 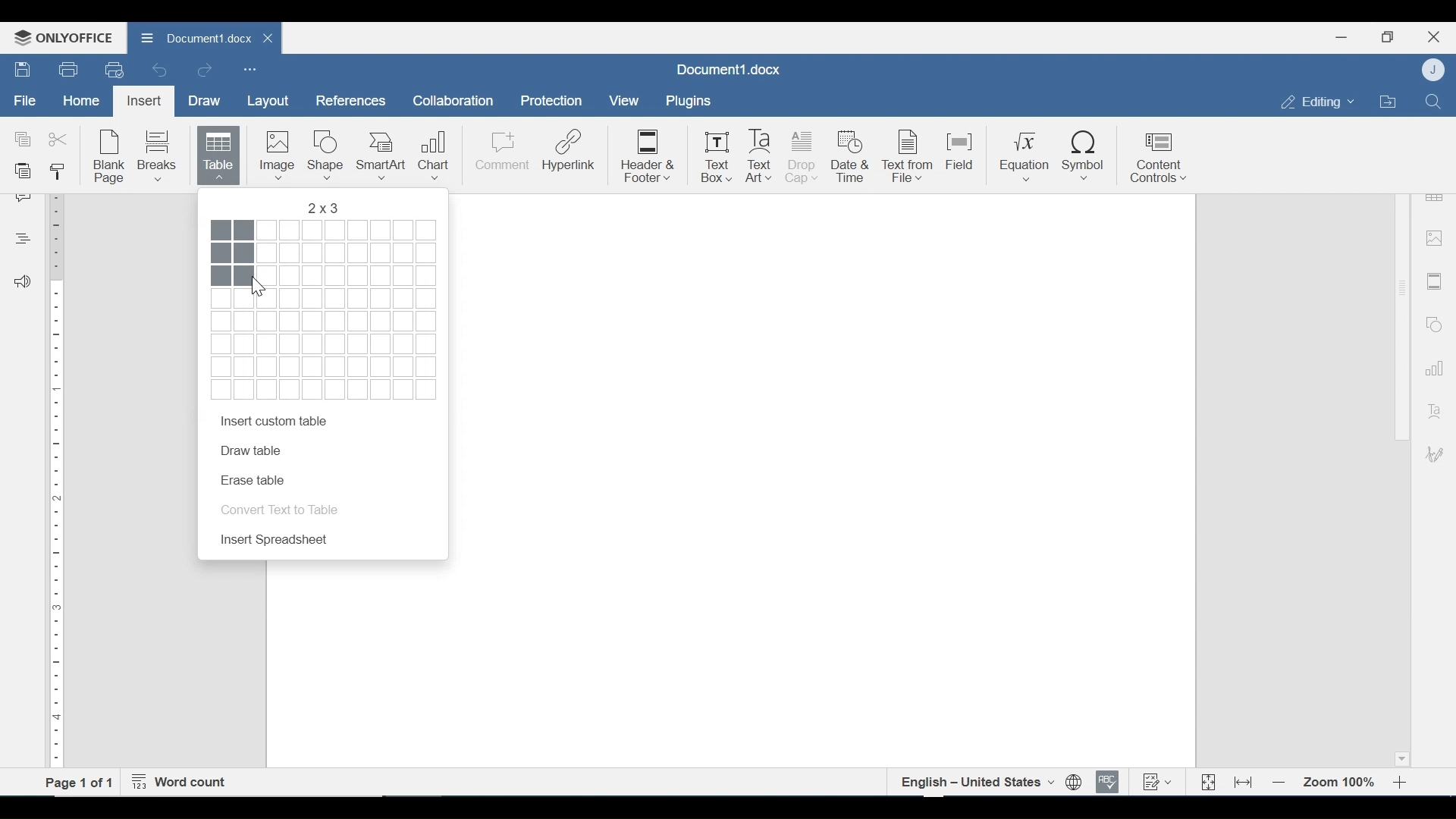 What do you see at coordinates (24, 199) in the screenshot?
I see `Comment` at bounding box center [24, 199].